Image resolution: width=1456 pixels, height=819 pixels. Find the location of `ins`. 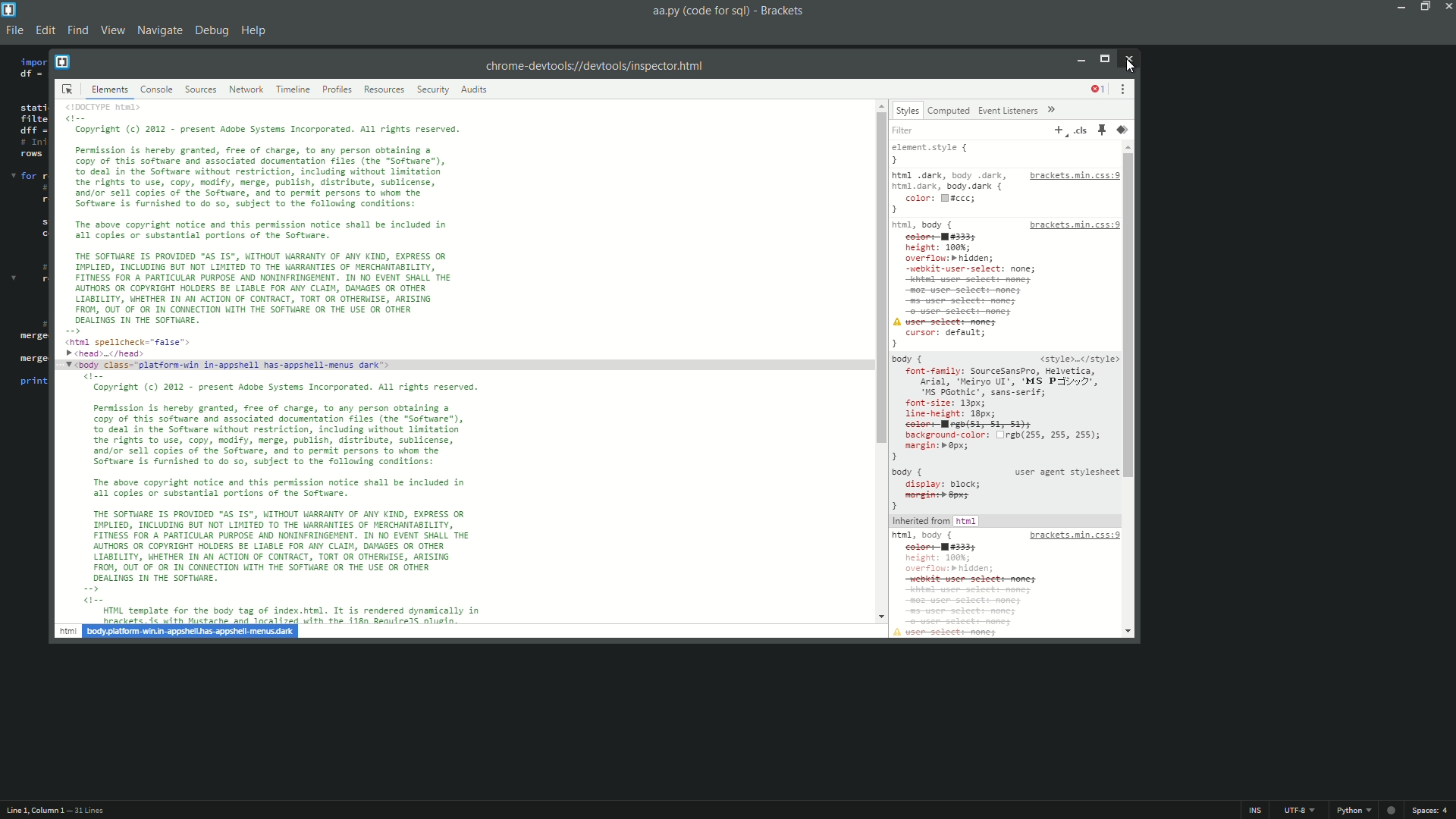

ins is located at coordinates (1257, 809).